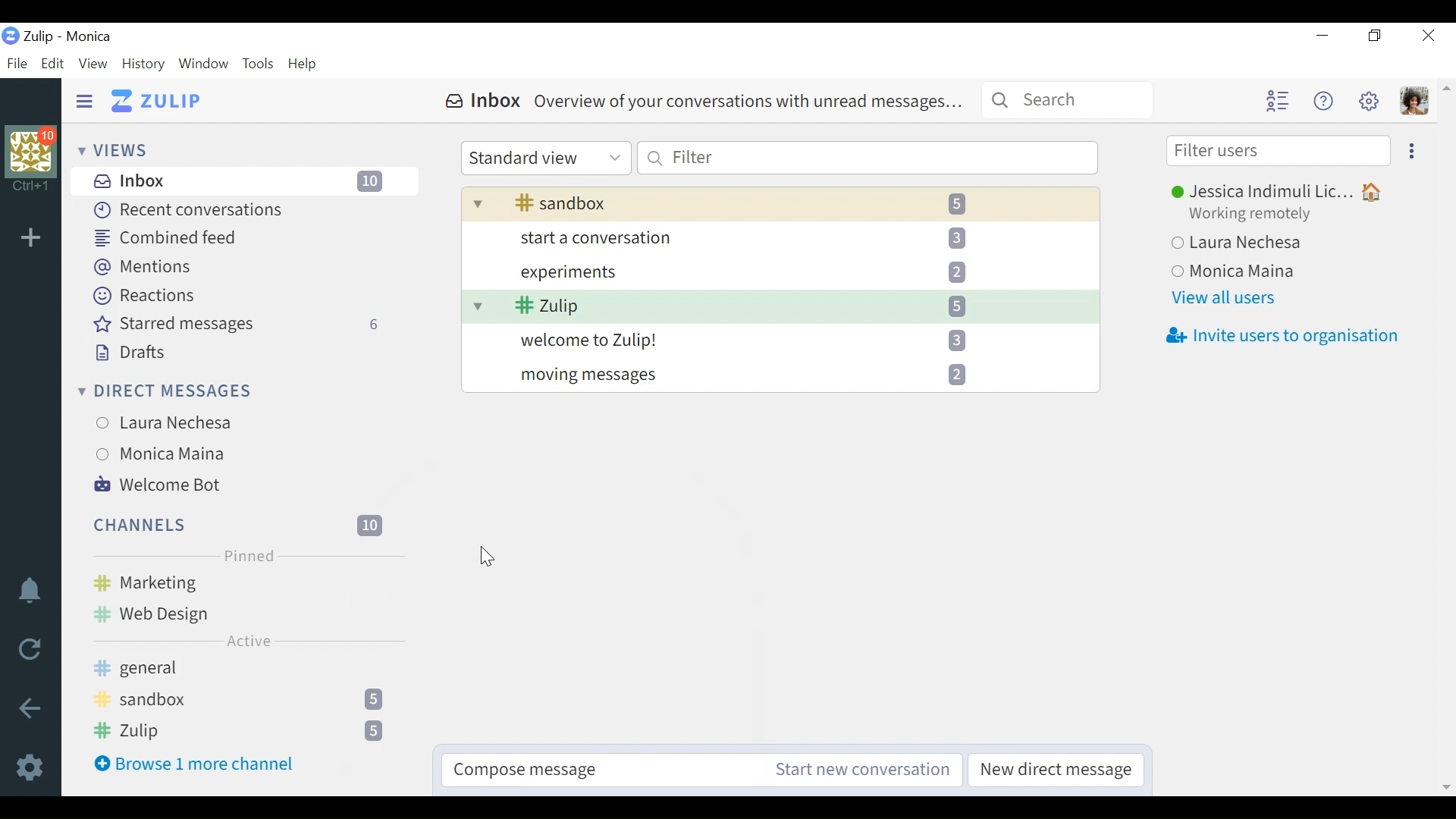 This screenshot has height=819, width=1456. What do you see at coordinates (1227, 298) in the screenshot?
I see `View all users` at bounding box center [1227, 298].